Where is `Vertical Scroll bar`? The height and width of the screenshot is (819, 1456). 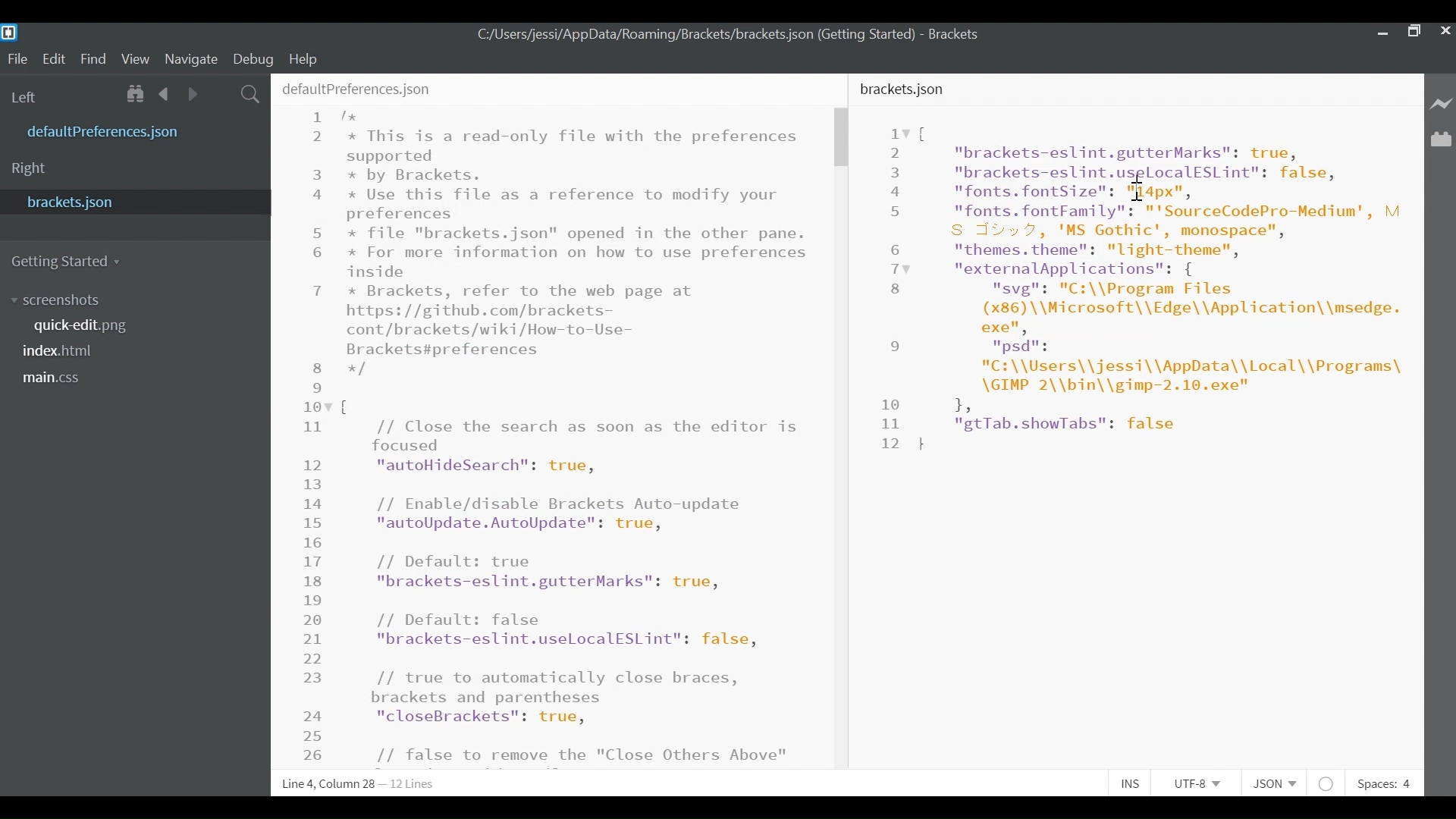 Vertical Scroll bar is located at coordinates (843, 138).